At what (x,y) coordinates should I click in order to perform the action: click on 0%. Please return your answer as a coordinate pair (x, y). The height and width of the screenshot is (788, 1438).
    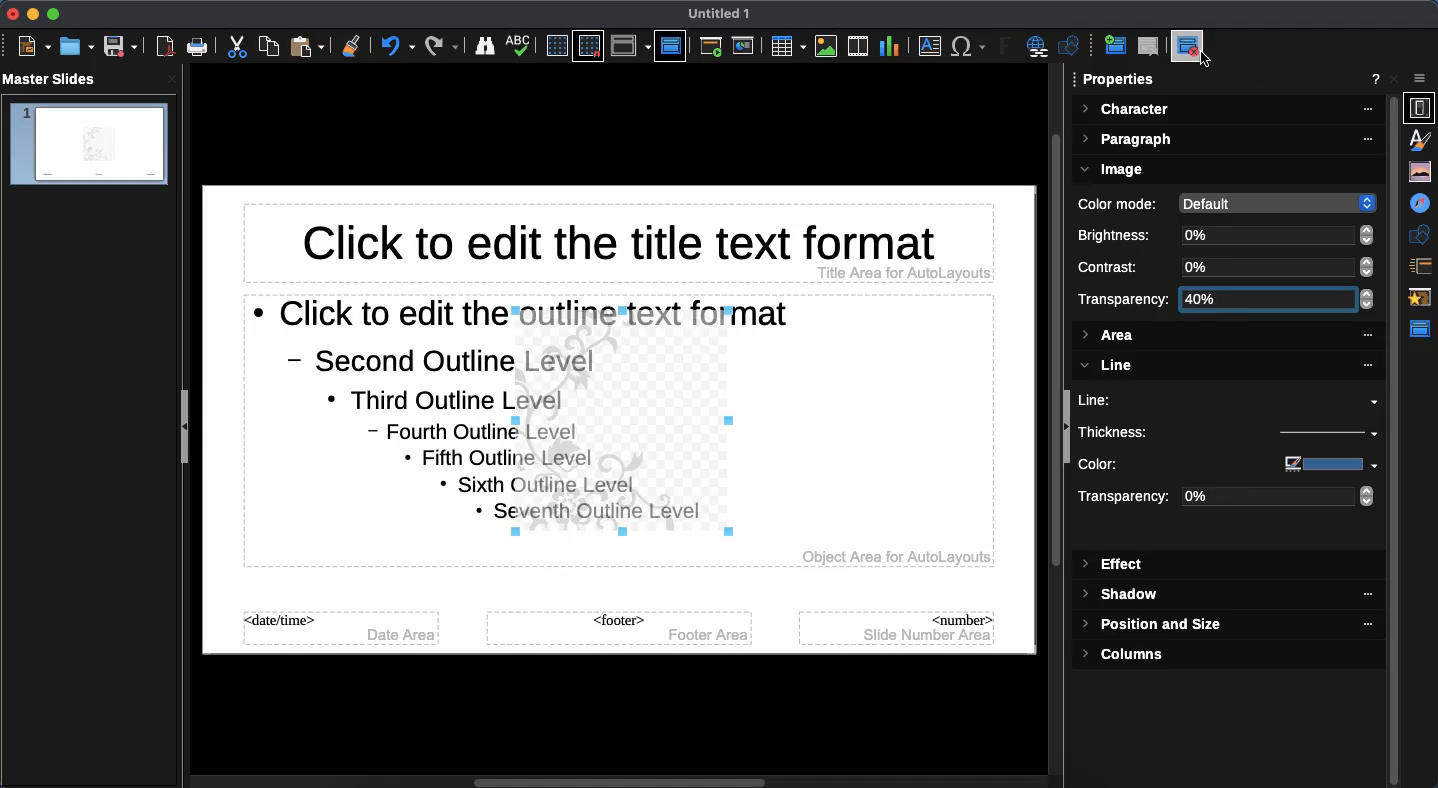
    Looking at the image, I should click on (1278, 267).